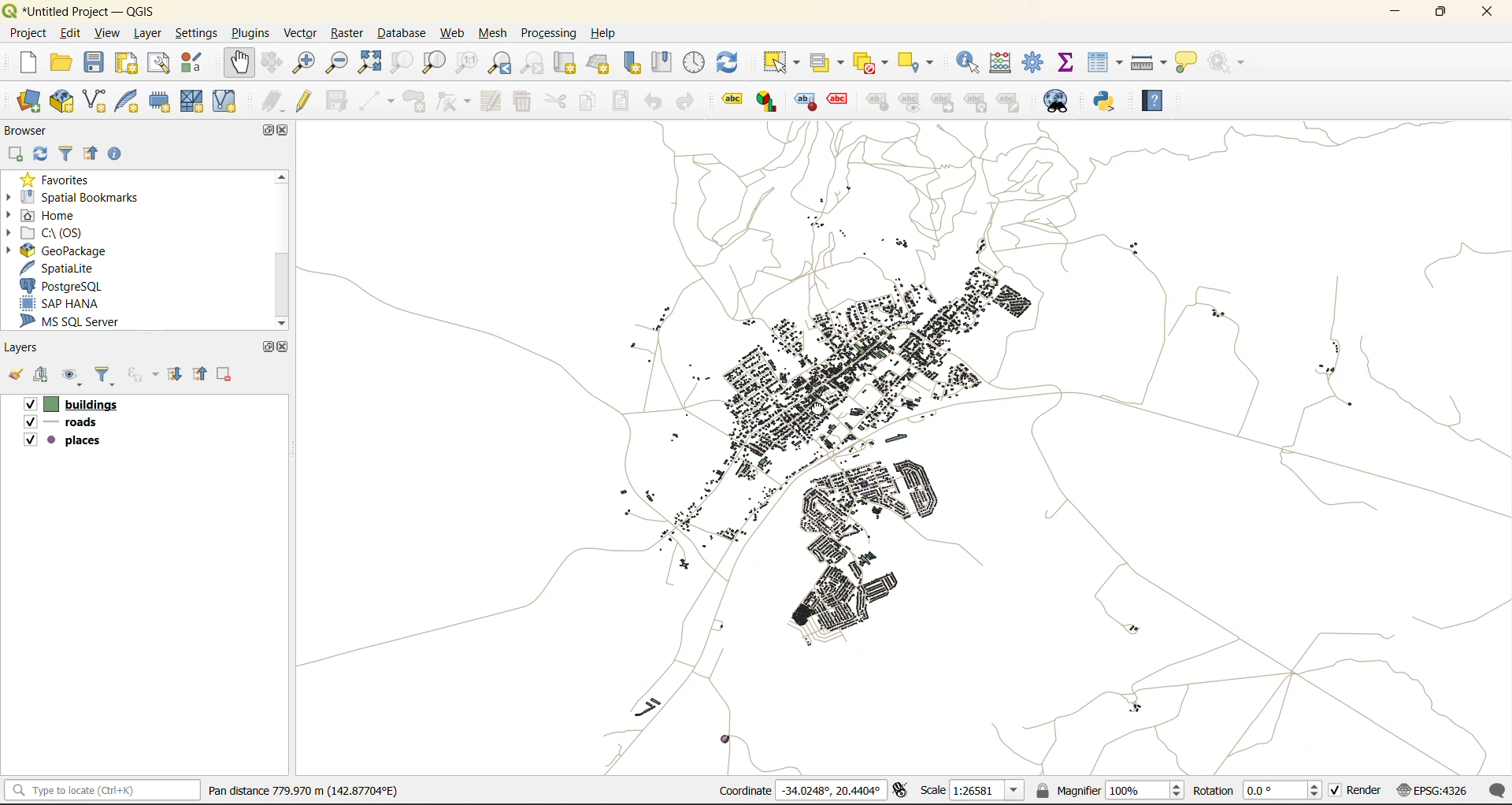  What do you see at coordinates (202, 373) in the screenshot?
I see `collapse all` at bounding box center [202, 373].